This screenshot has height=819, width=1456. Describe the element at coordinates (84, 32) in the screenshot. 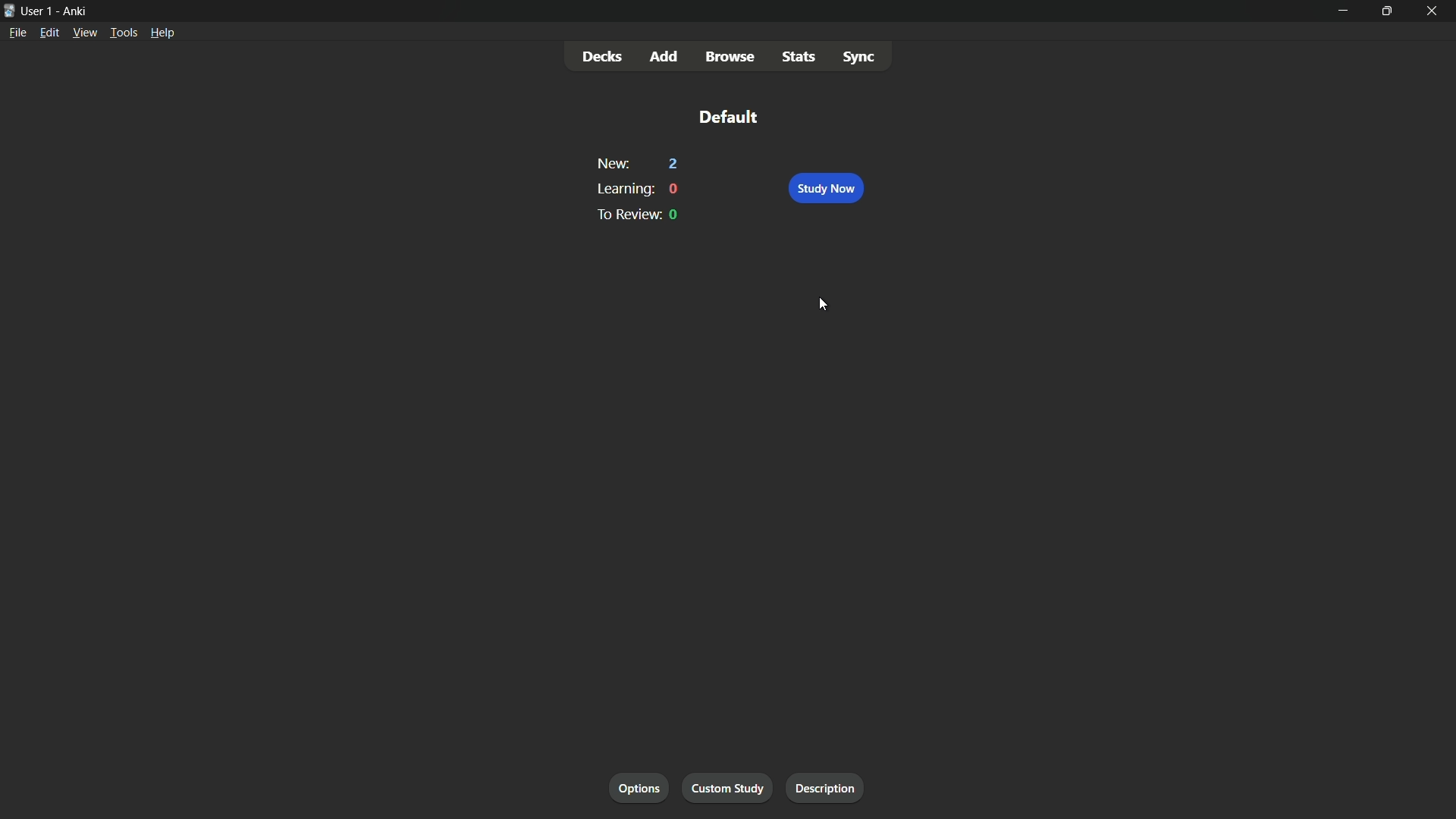

I see `view menu` at that location.